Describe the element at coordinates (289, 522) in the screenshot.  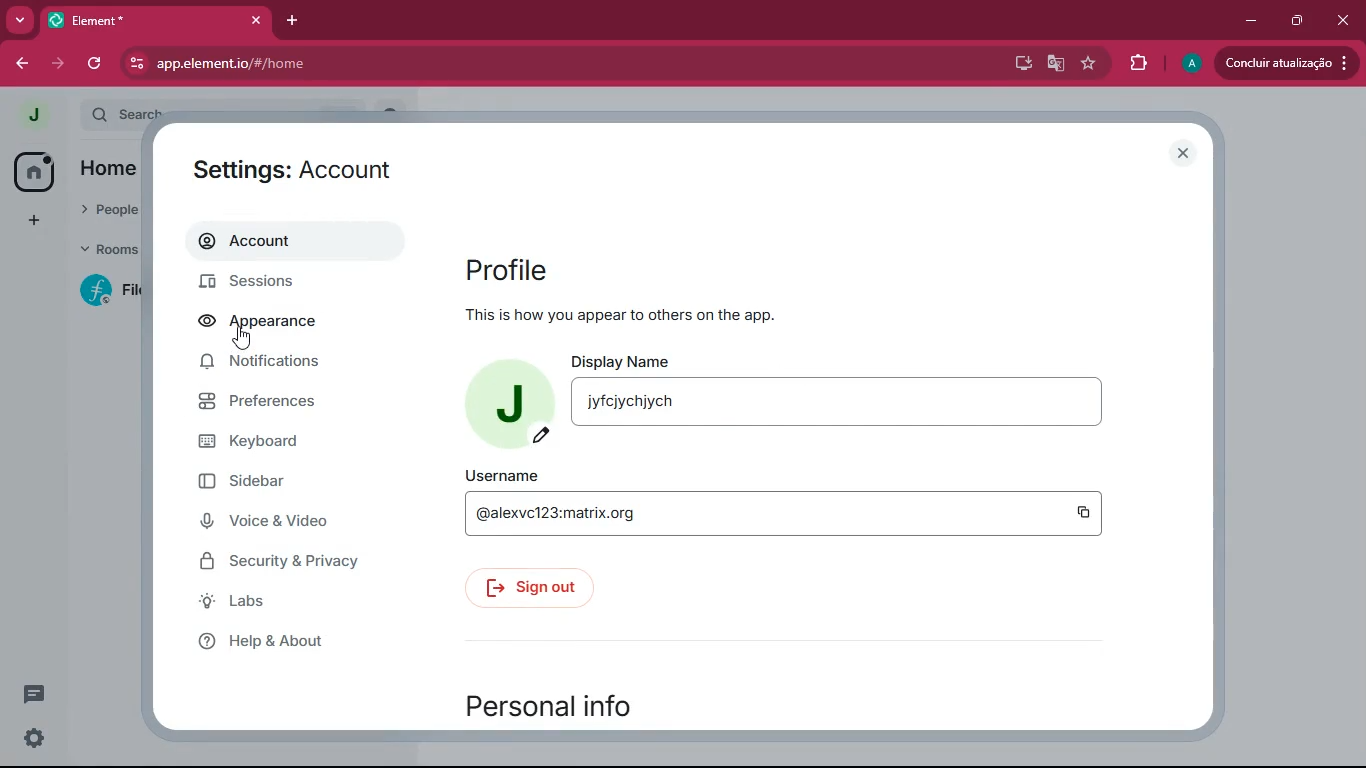
I see `voice` at that location.